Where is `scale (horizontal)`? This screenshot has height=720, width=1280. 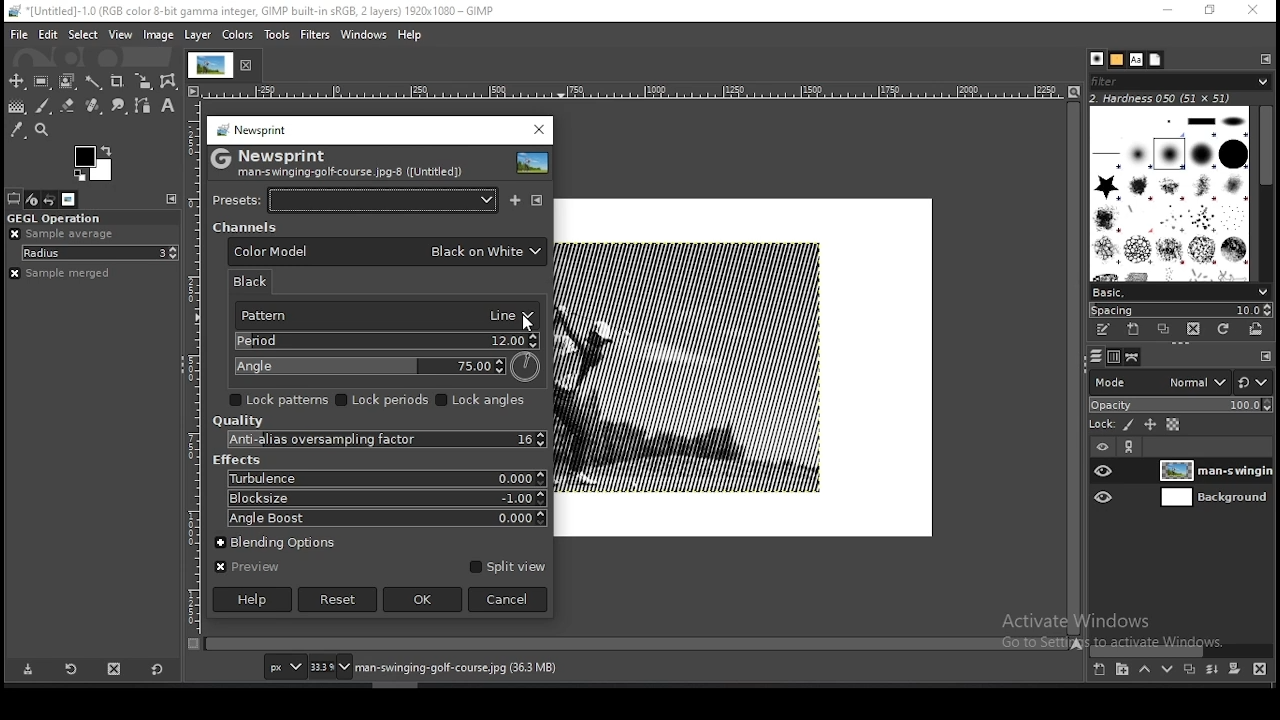
scale (horizontal) is located at coordinates (635, 92).